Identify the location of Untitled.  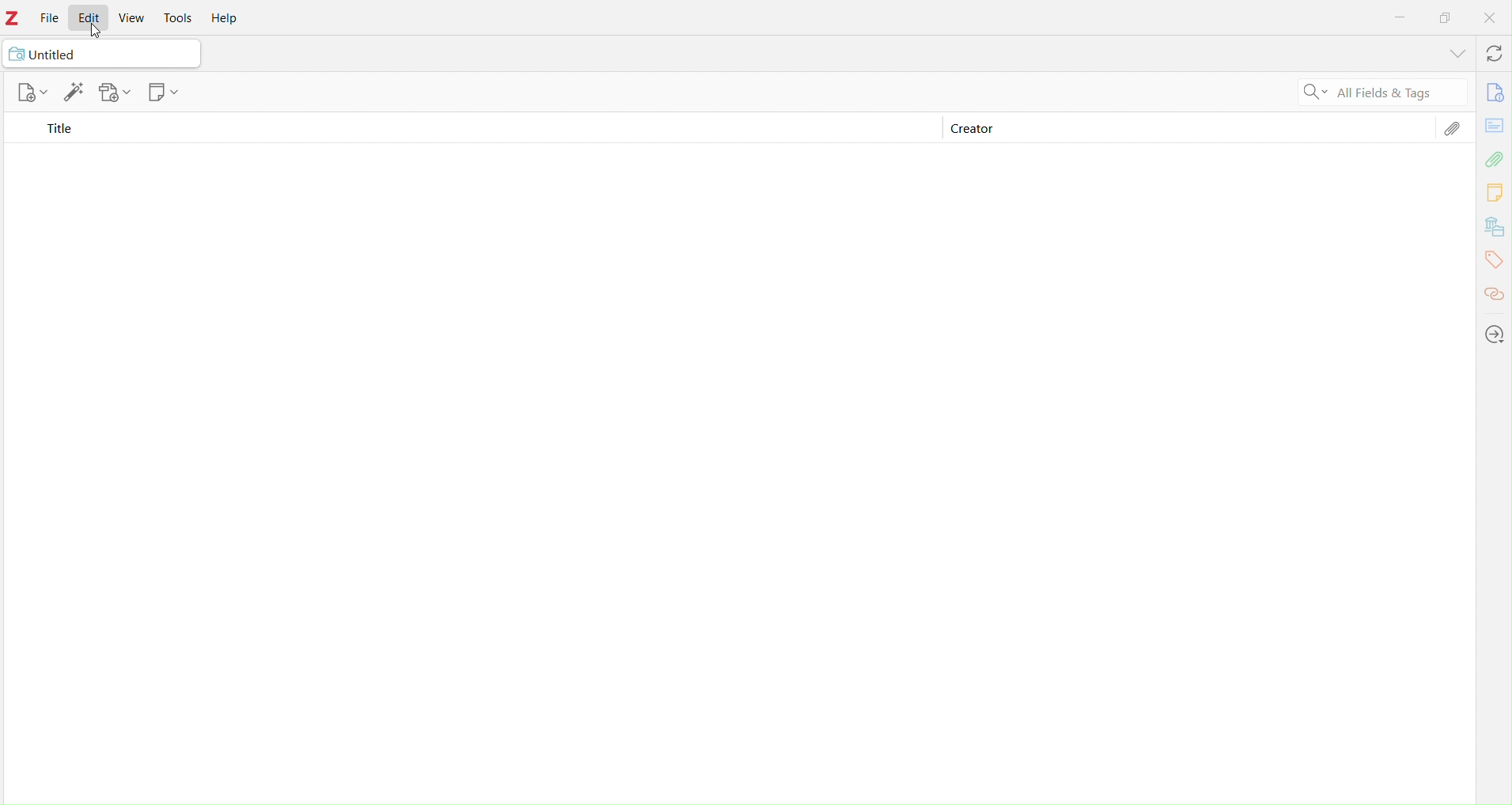
(103, 55).